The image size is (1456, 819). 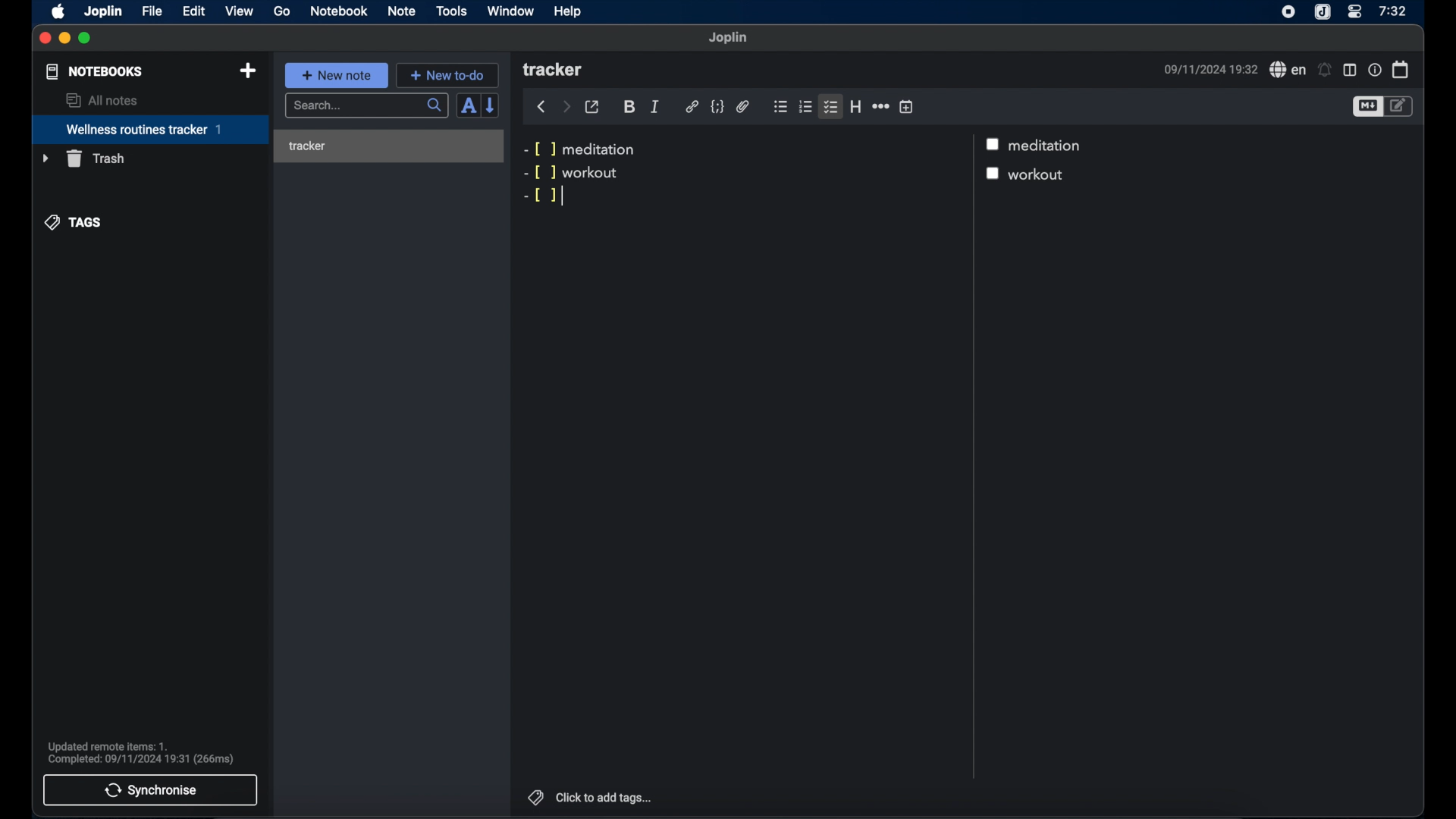 I want to click on tags, so click(x=74, y=223).